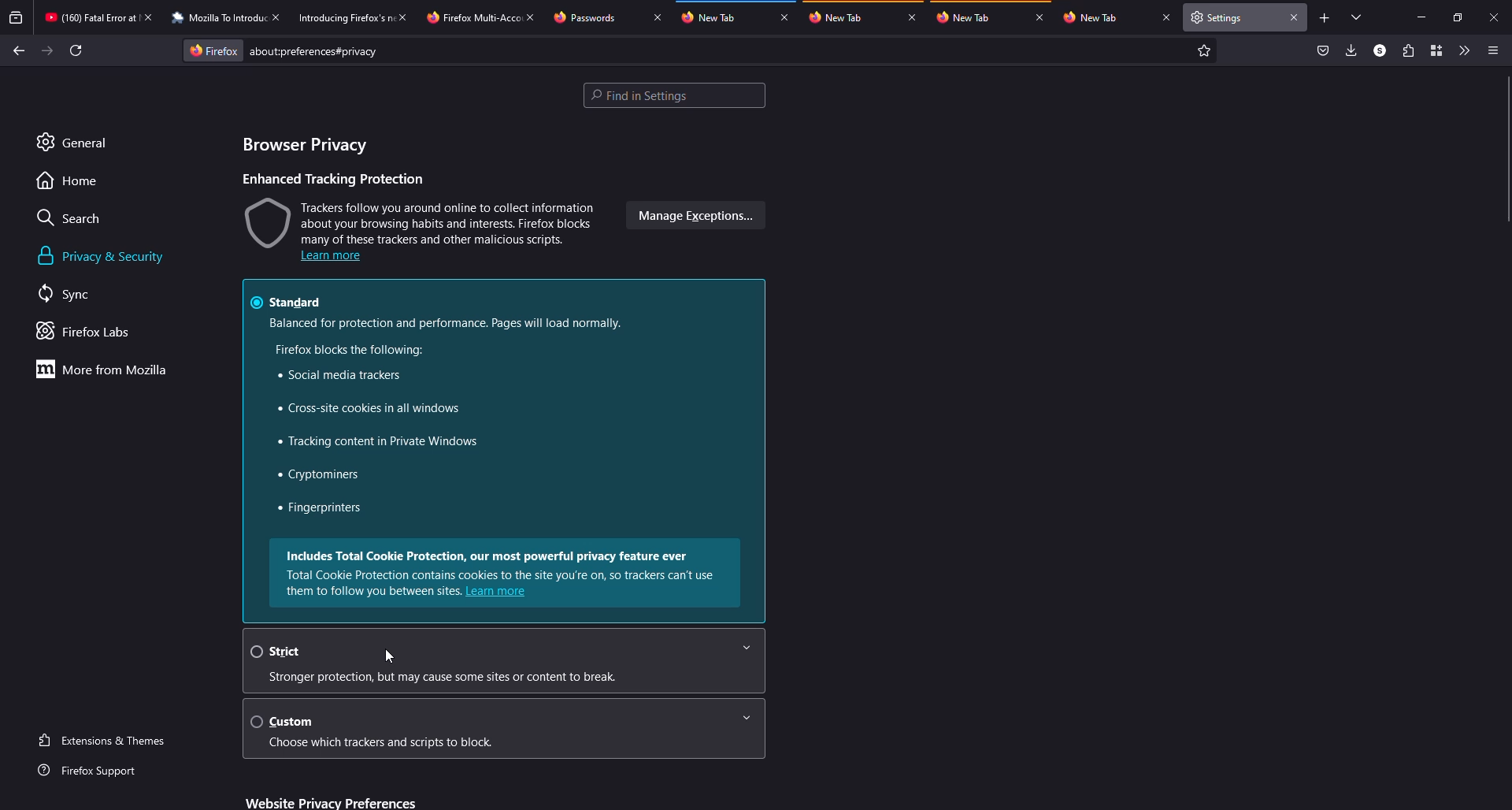  I want to click on learn more, so click(497, 593).